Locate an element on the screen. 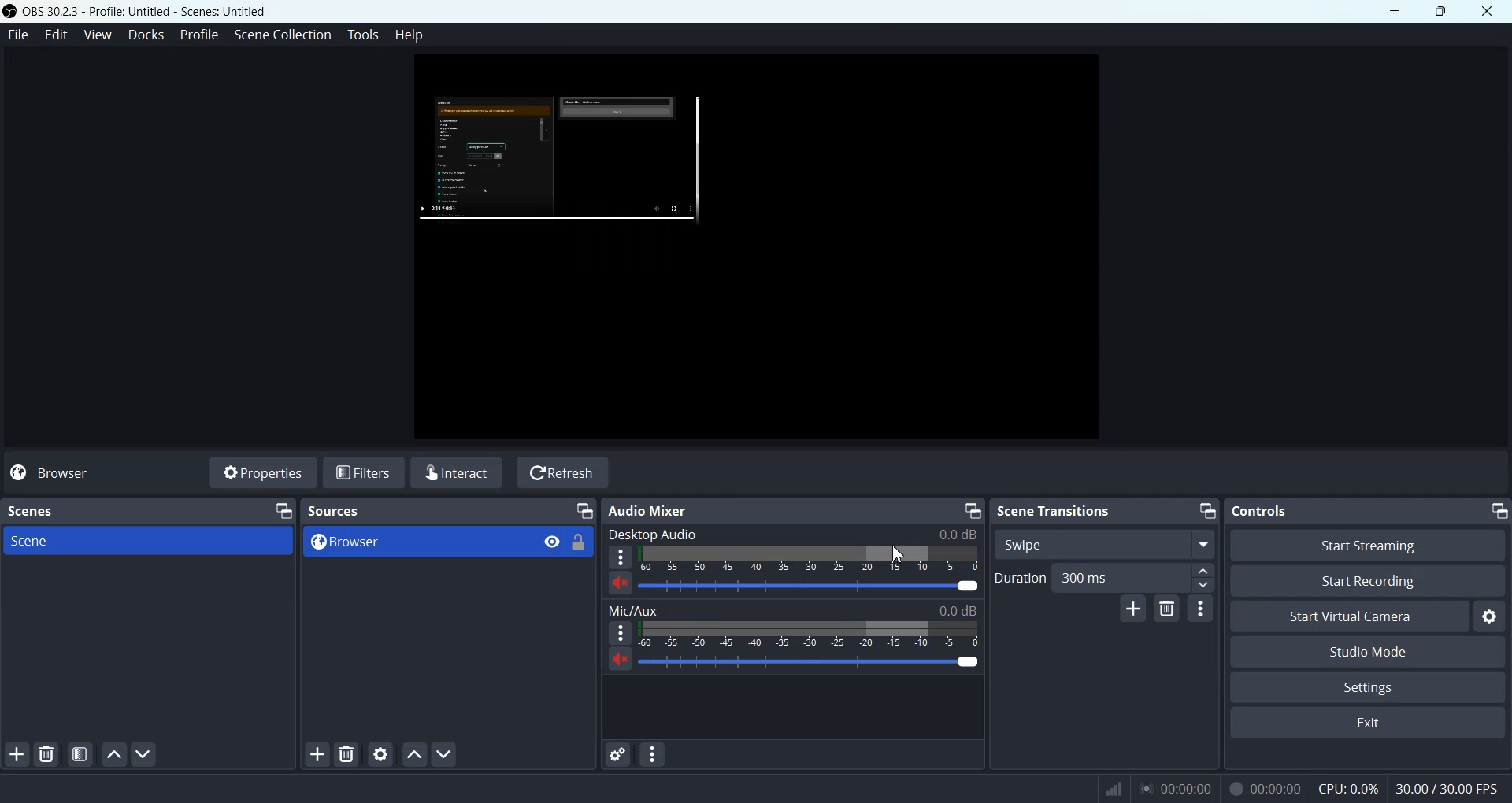 The height and width of the screenshot is (803, 1512). Scene Collection is located at coordinates (282, 35).